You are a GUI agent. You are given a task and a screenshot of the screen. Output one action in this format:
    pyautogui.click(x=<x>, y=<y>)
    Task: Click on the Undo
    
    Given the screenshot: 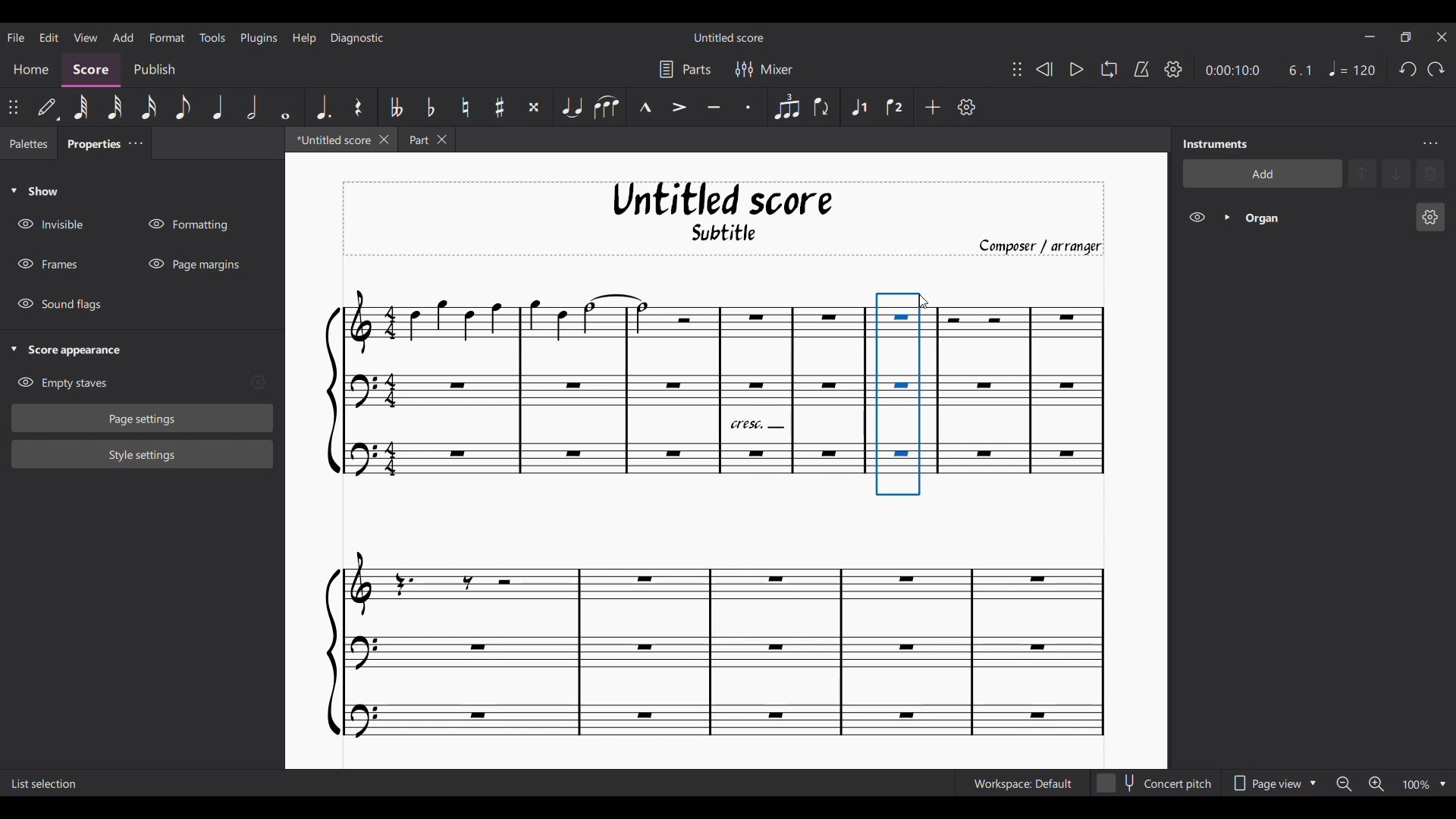 What is the action you would take?
    pyautogui.click(x=1407, y=69)
    